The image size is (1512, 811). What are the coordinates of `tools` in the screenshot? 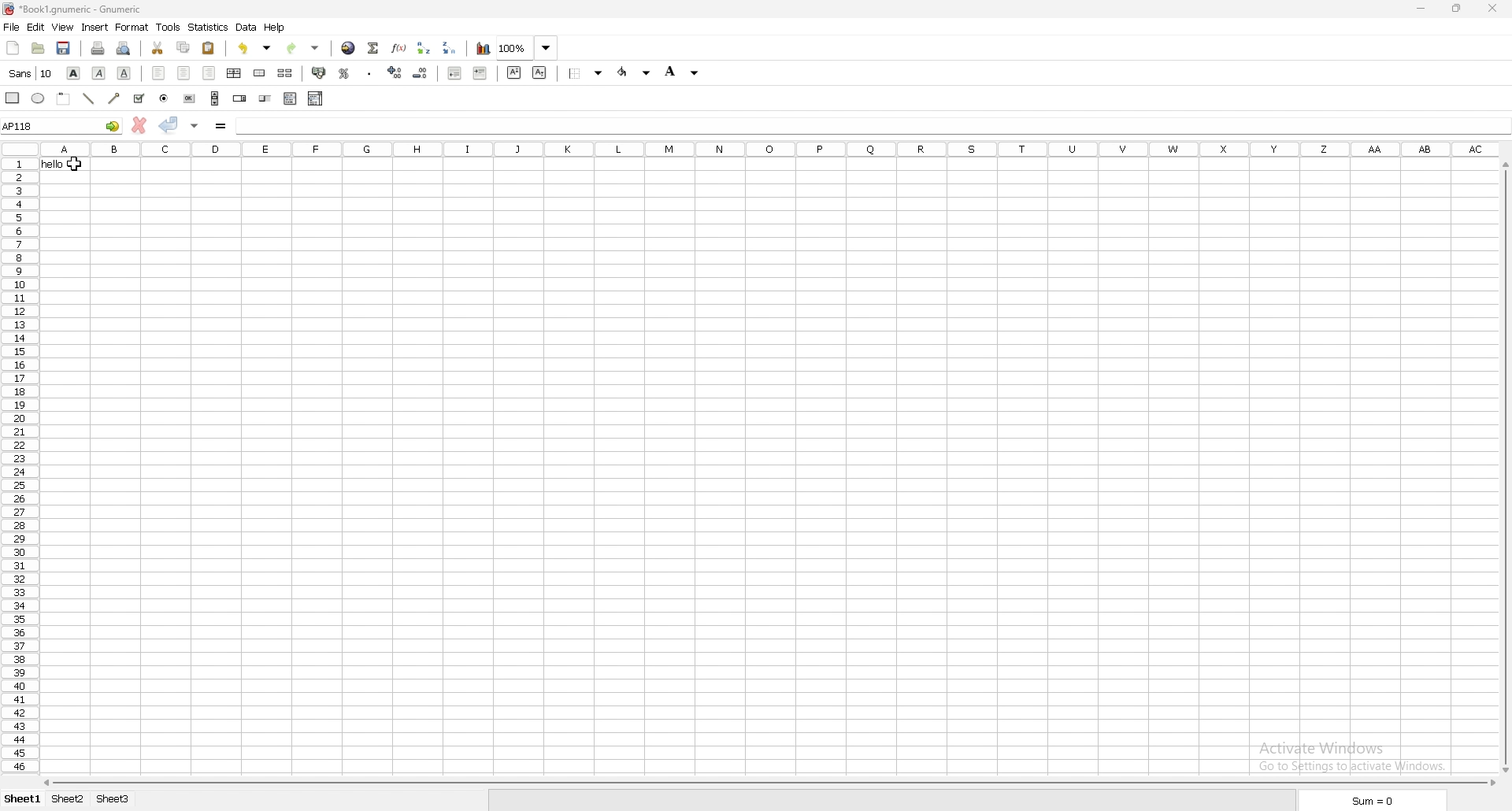 It's located at (168, 26).